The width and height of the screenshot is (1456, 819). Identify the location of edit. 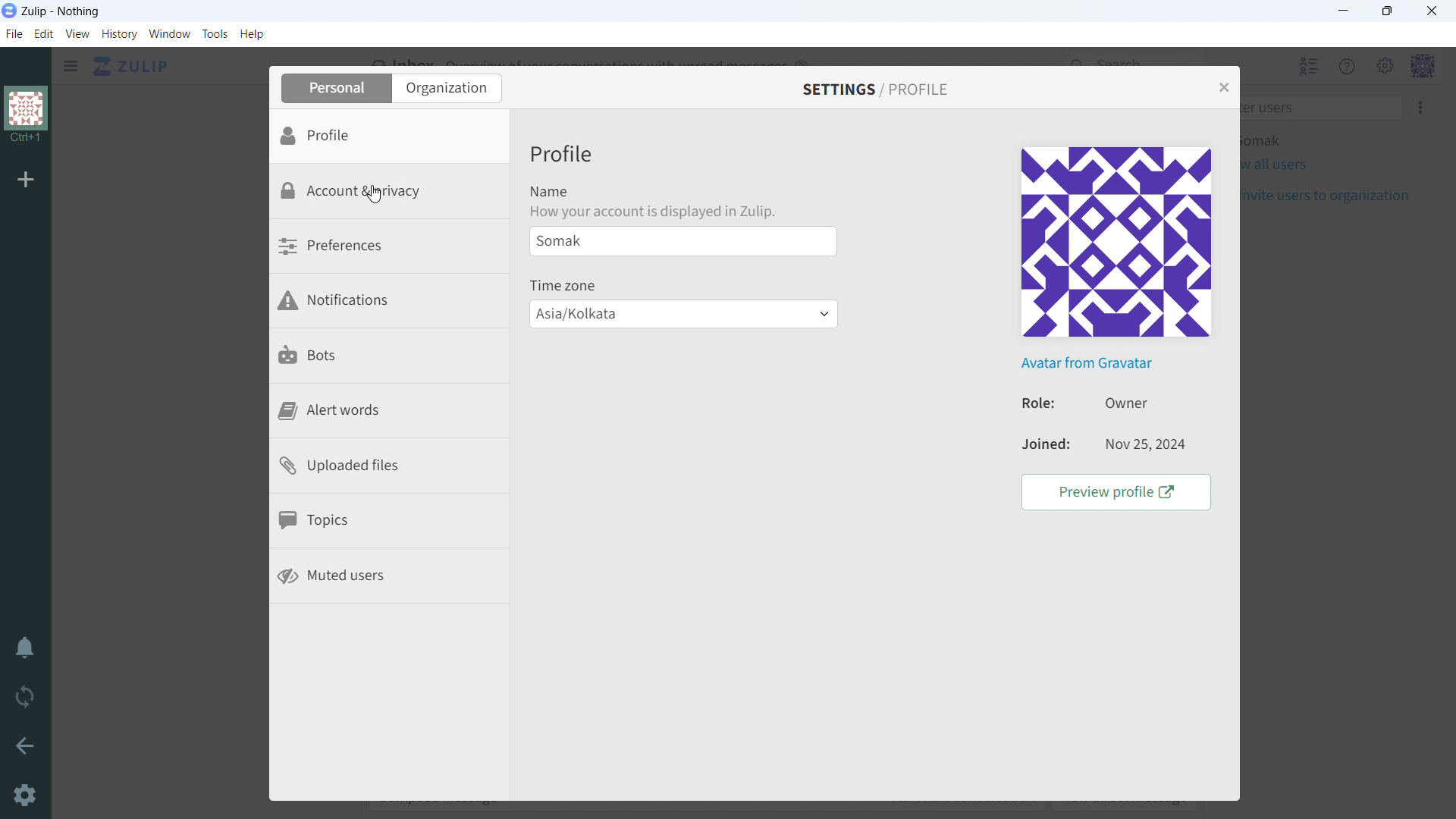
(43, 34).